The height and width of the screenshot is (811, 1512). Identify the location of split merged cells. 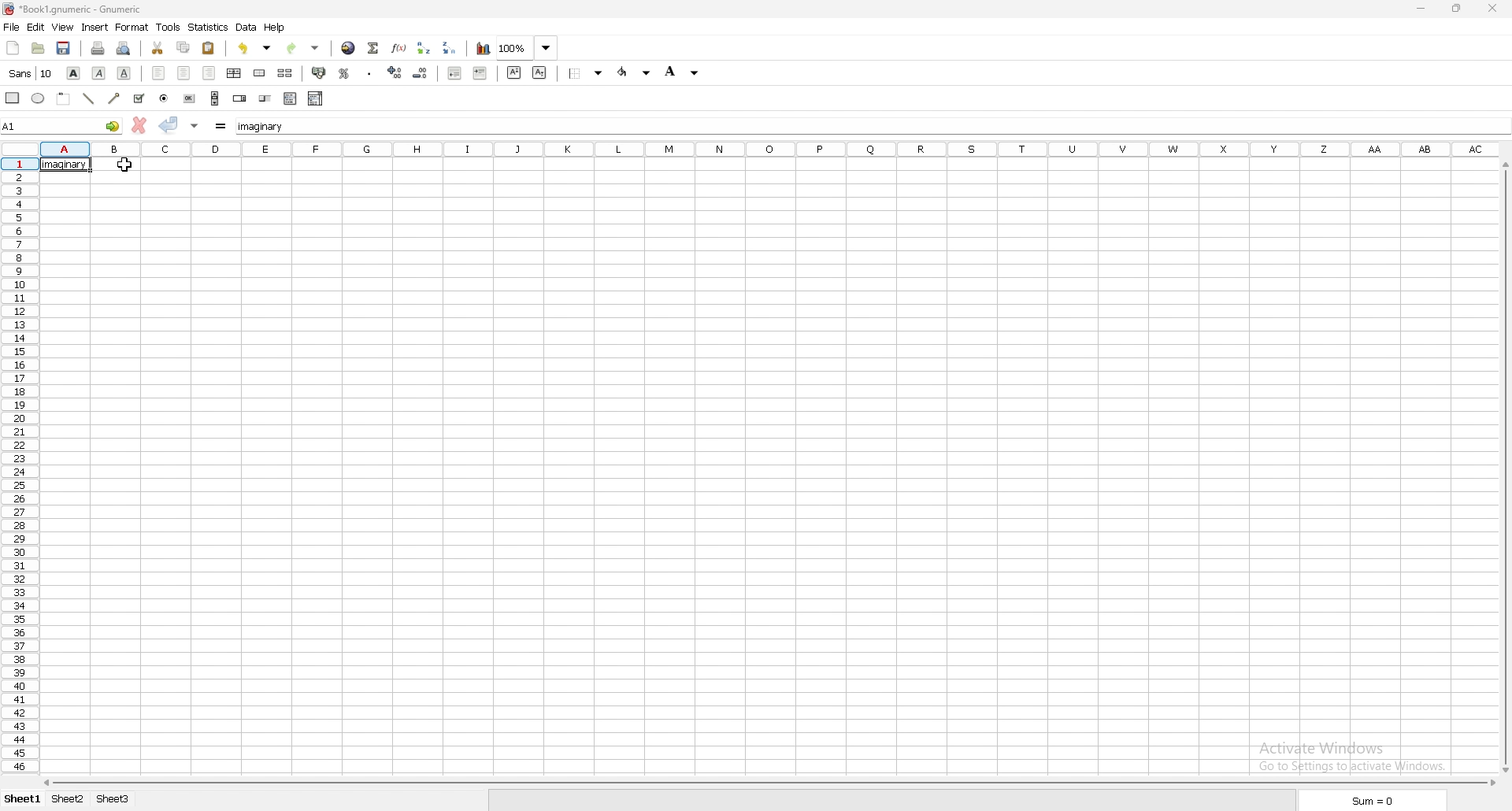
(285, 72).